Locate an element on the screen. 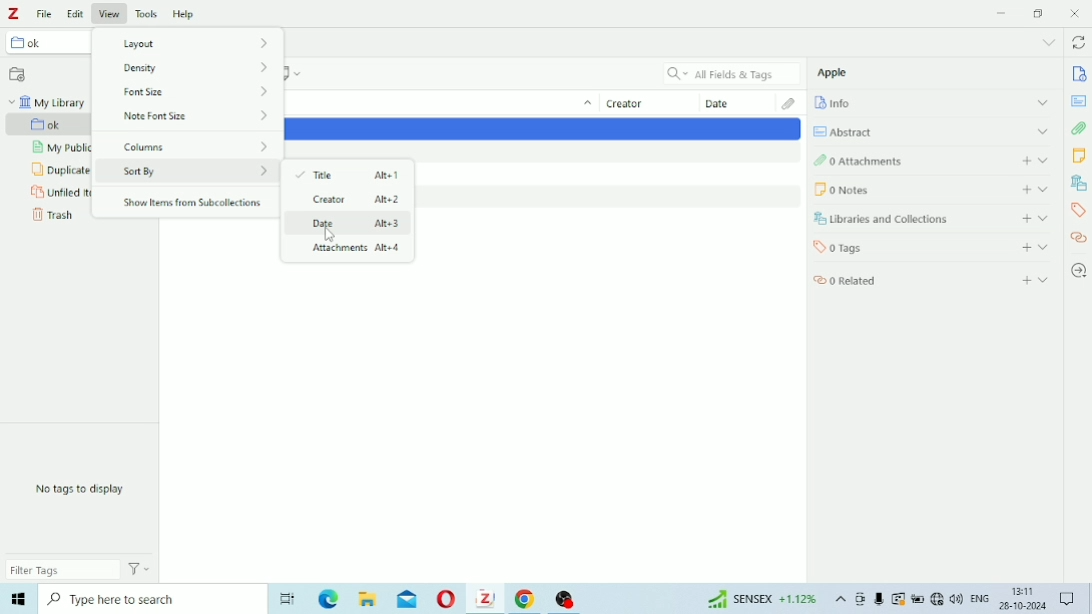  add is located at coordinates (1021, 218).